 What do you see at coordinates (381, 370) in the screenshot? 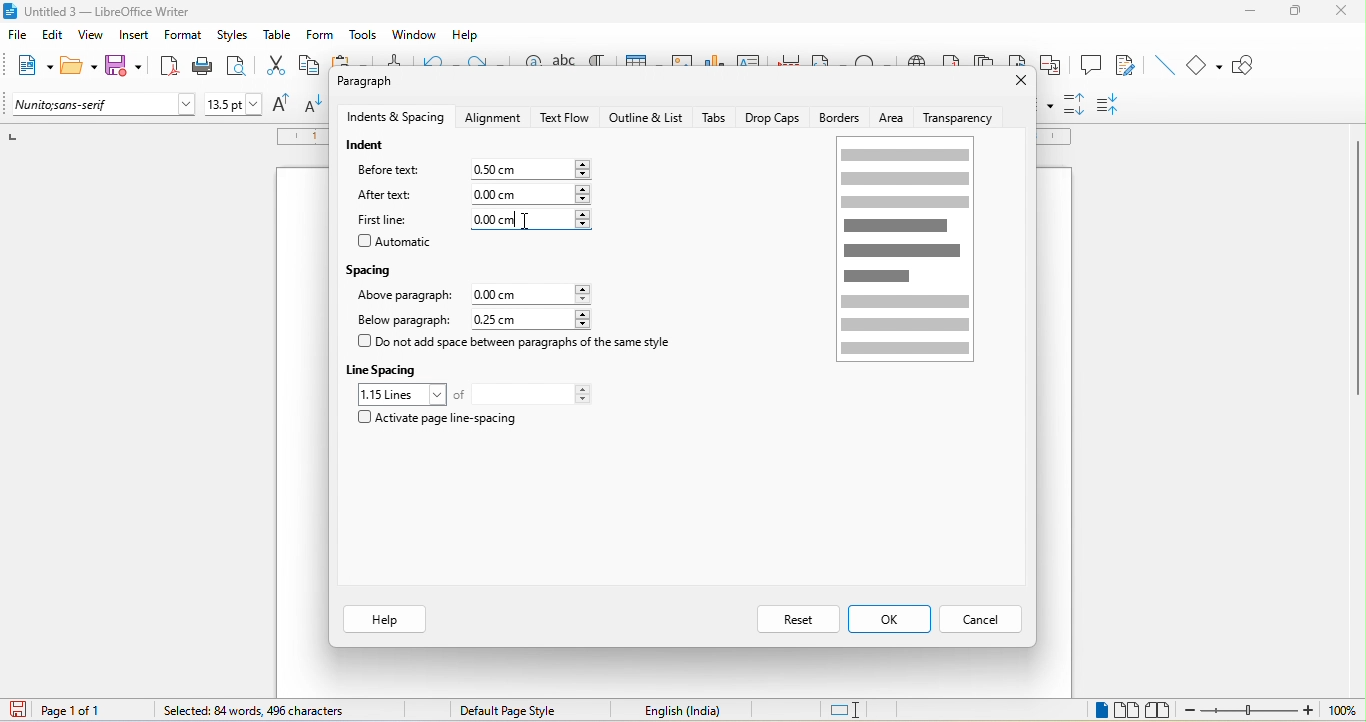
I see `line spacing` at bounding box center [381, 370].